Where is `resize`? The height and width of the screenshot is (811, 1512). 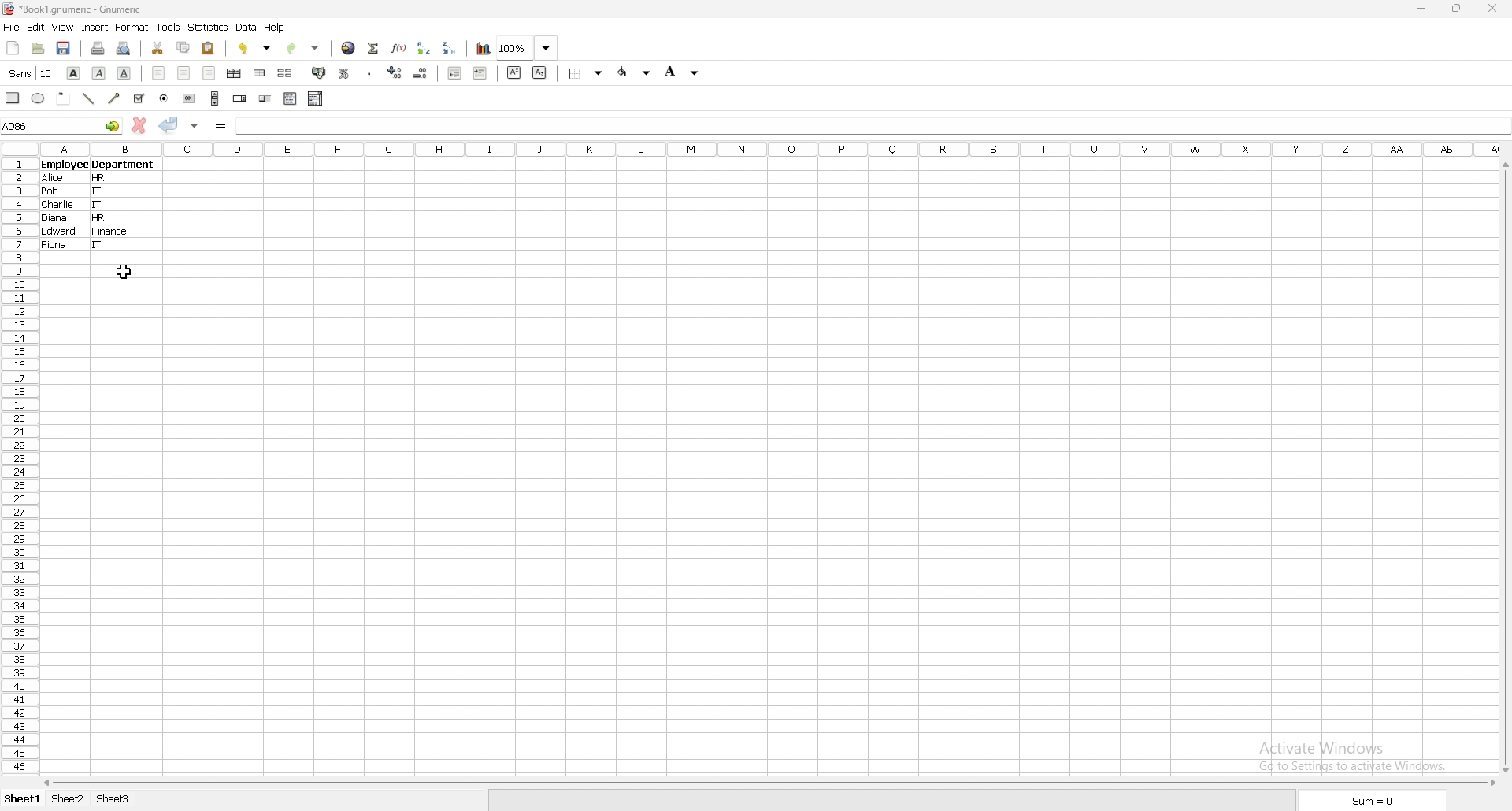
resize is located at coordinates (1458, 8).